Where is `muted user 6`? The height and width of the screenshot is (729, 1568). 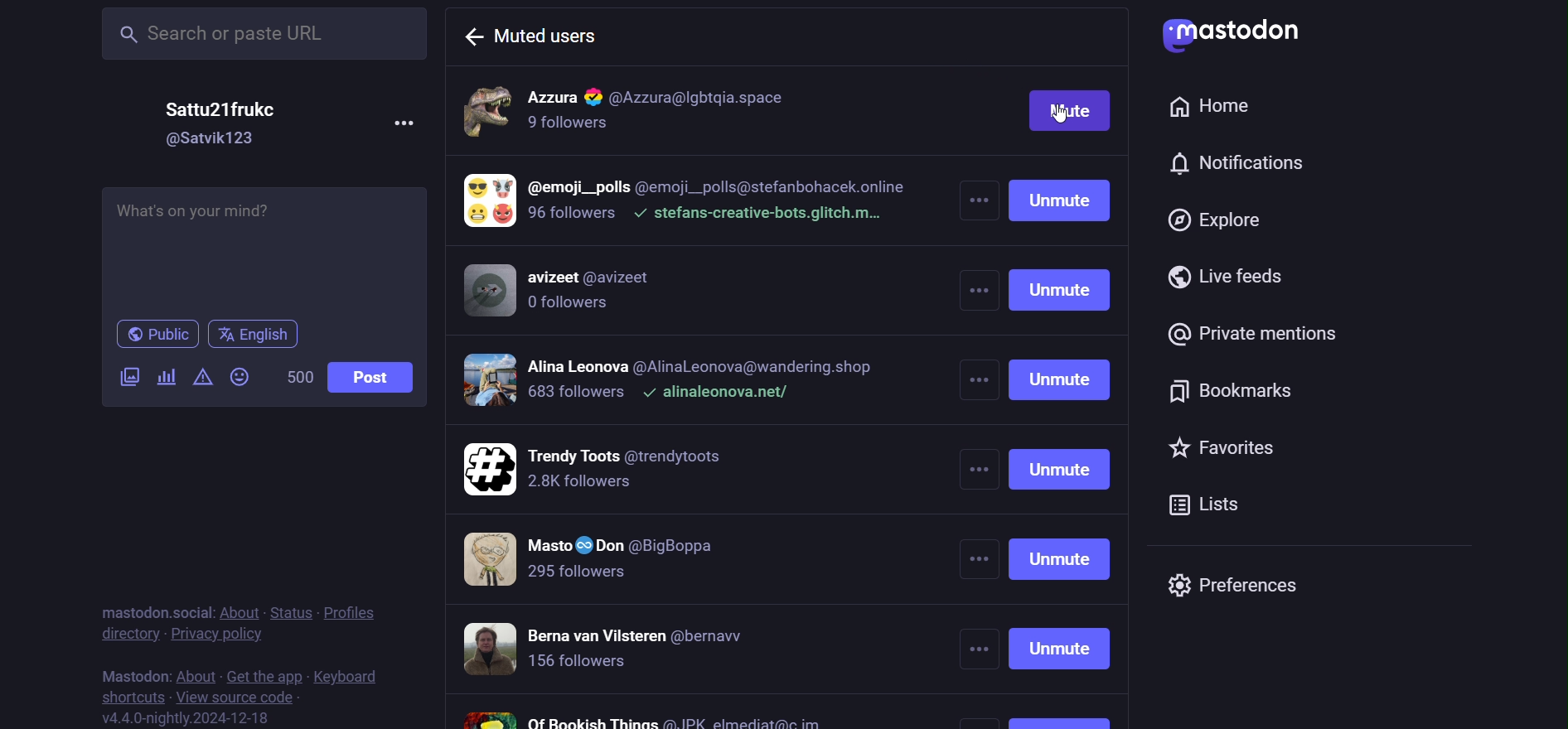 muted user 6 is located at coordinates (612, 562).